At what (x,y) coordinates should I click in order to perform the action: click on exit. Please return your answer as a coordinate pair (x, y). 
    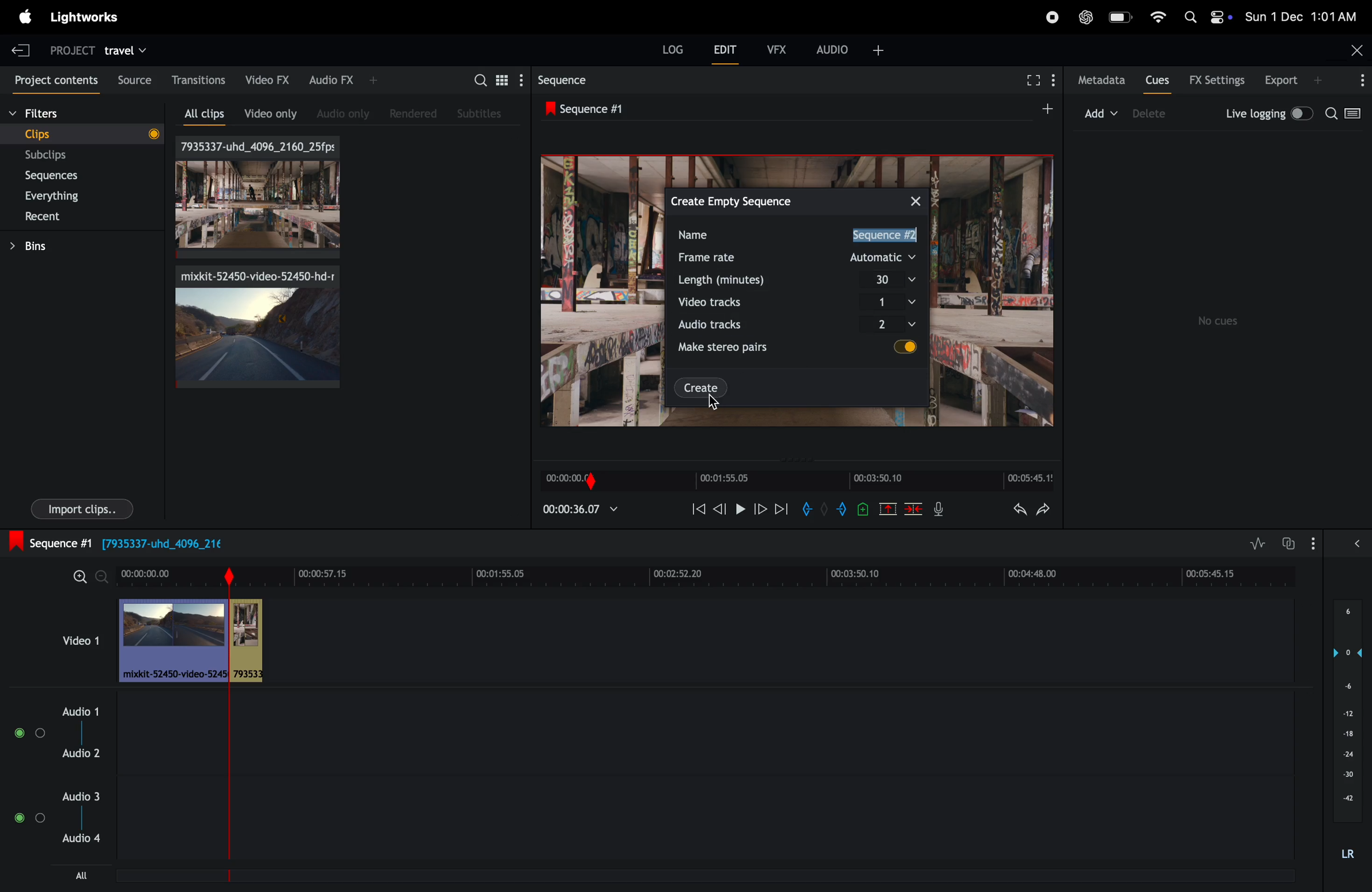
    Looking at the image, I should click on (24, 50).